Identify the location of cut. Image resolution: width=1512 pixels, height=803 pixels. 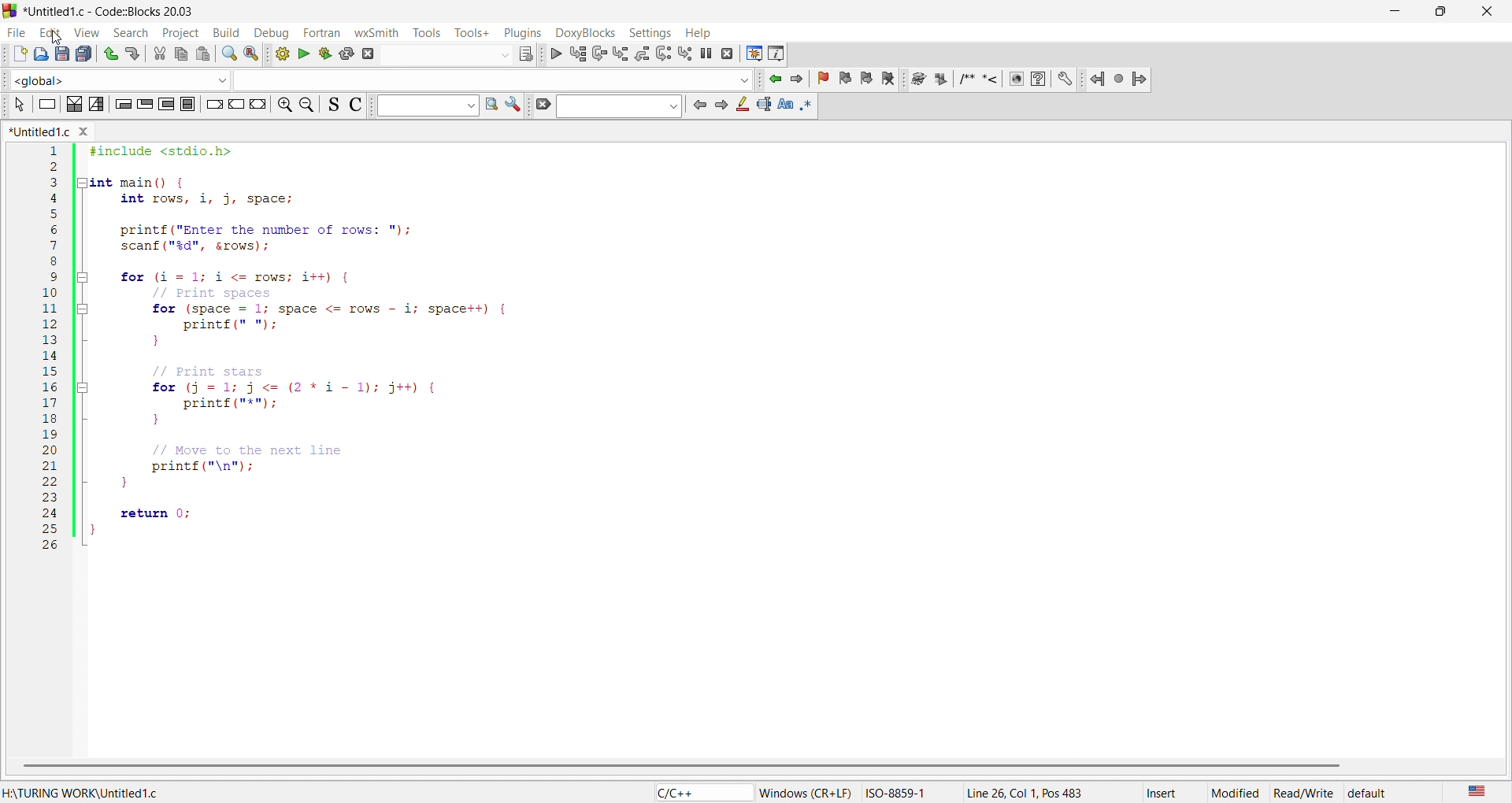
(156, 54).